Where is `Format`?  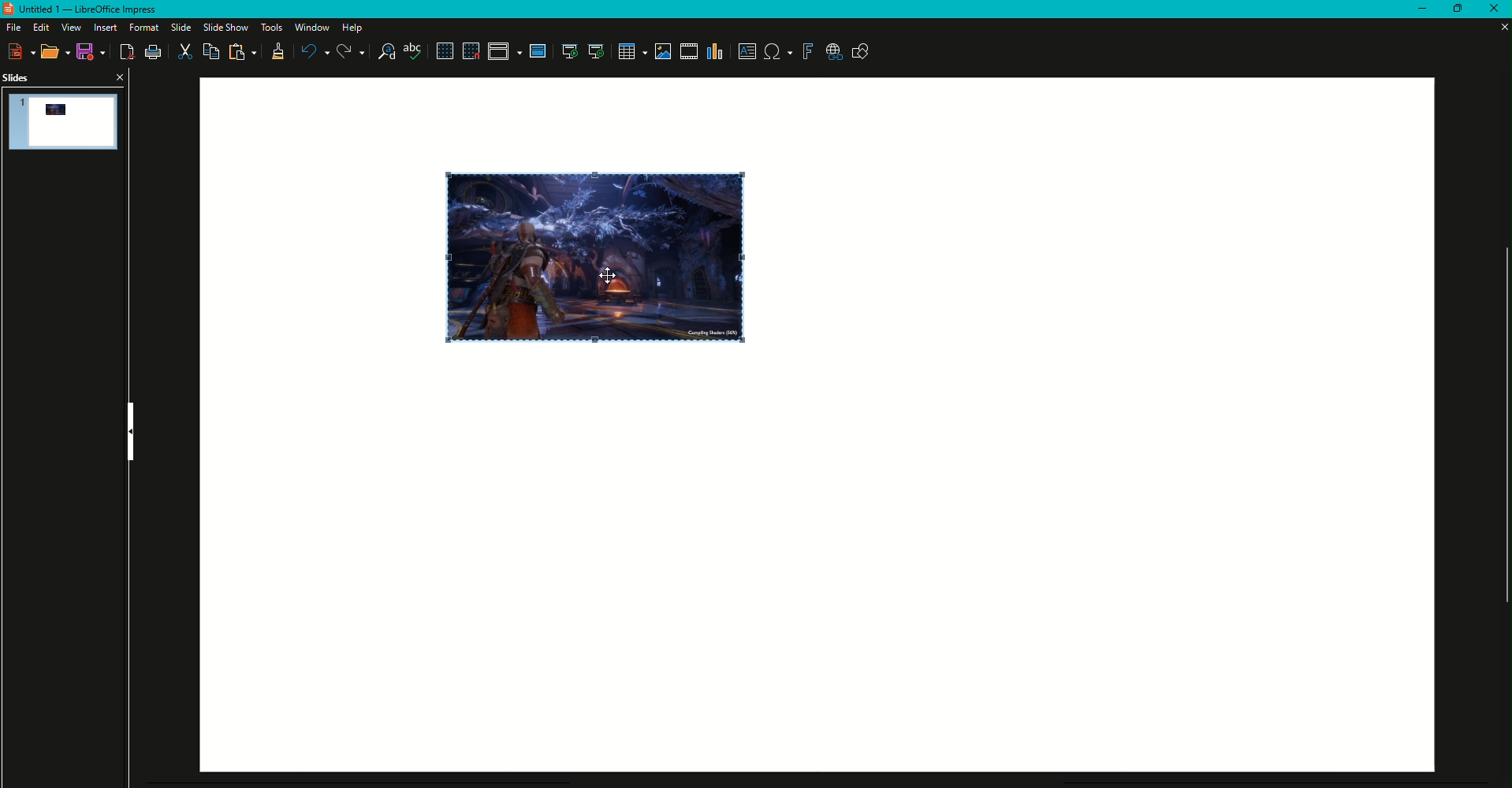
Format is located at coordinates (141, 28).